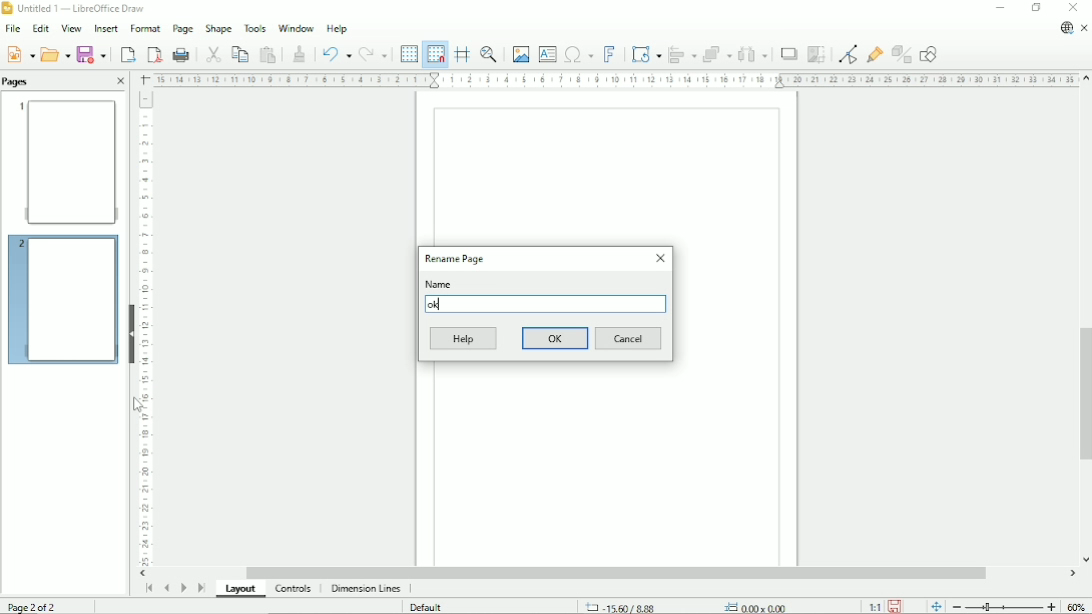 This screenshot has width=1092, height=614. Describe the element at coordinates (148, 588) in the screenshot. I see `Scroll to first page` at that location.